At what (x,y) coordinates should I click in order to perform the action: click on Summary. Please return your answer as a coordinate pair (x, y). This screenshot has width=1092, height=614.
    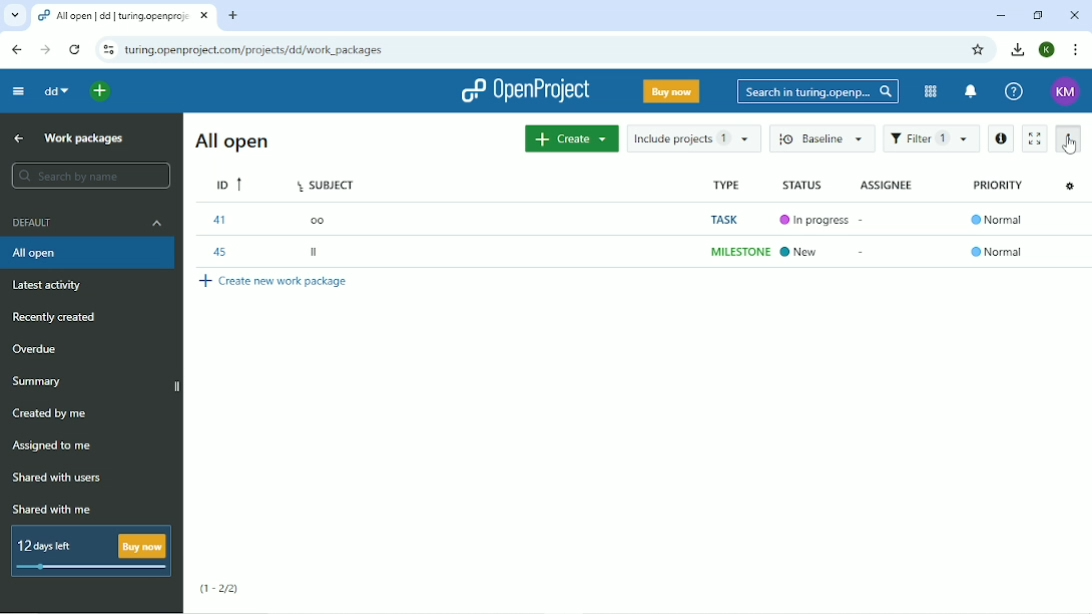
    Looking at the image, I should click on (36, 382).